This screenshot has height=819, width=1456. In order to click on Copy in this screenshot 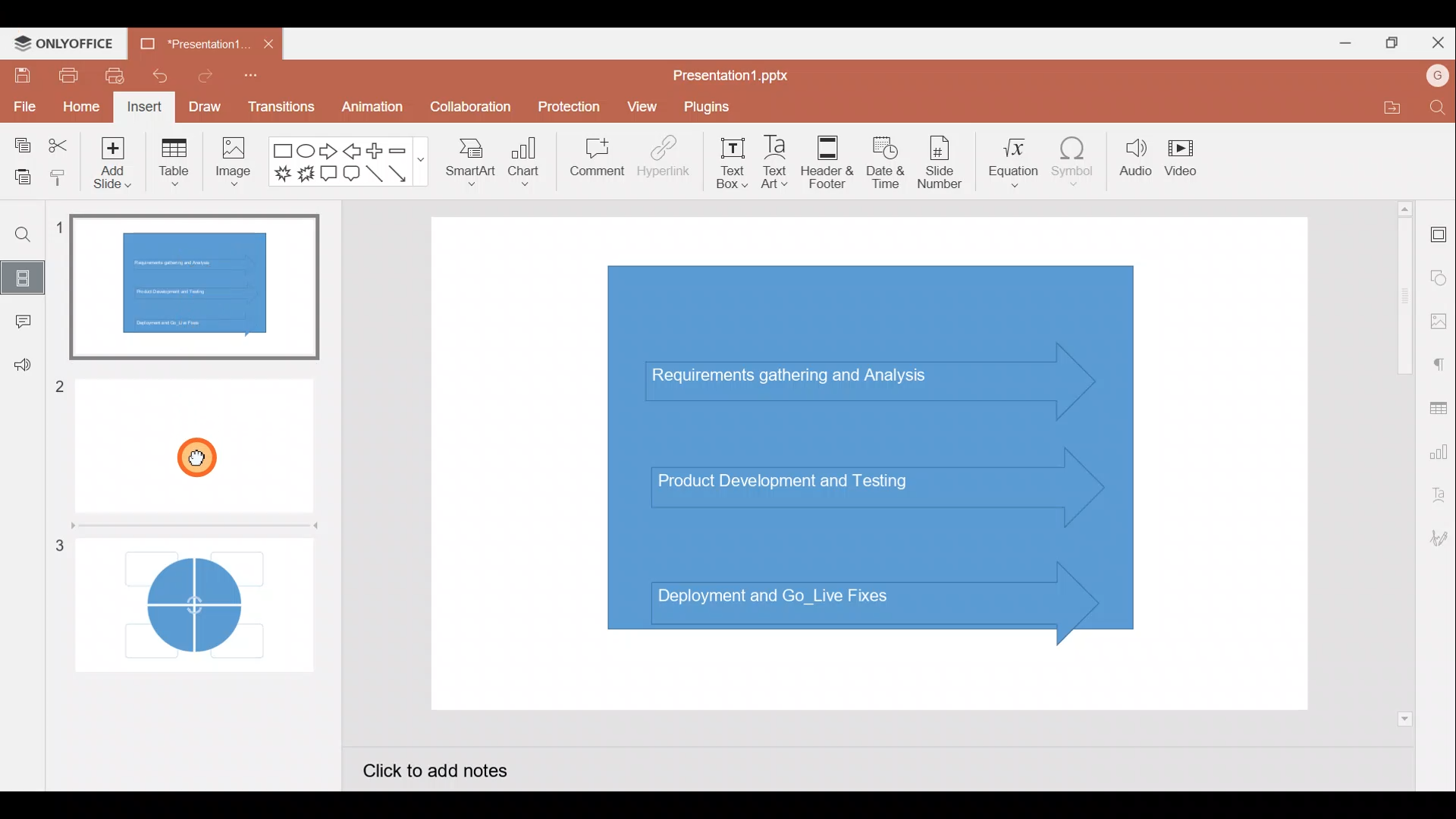, I will do `click(22, 141)`.